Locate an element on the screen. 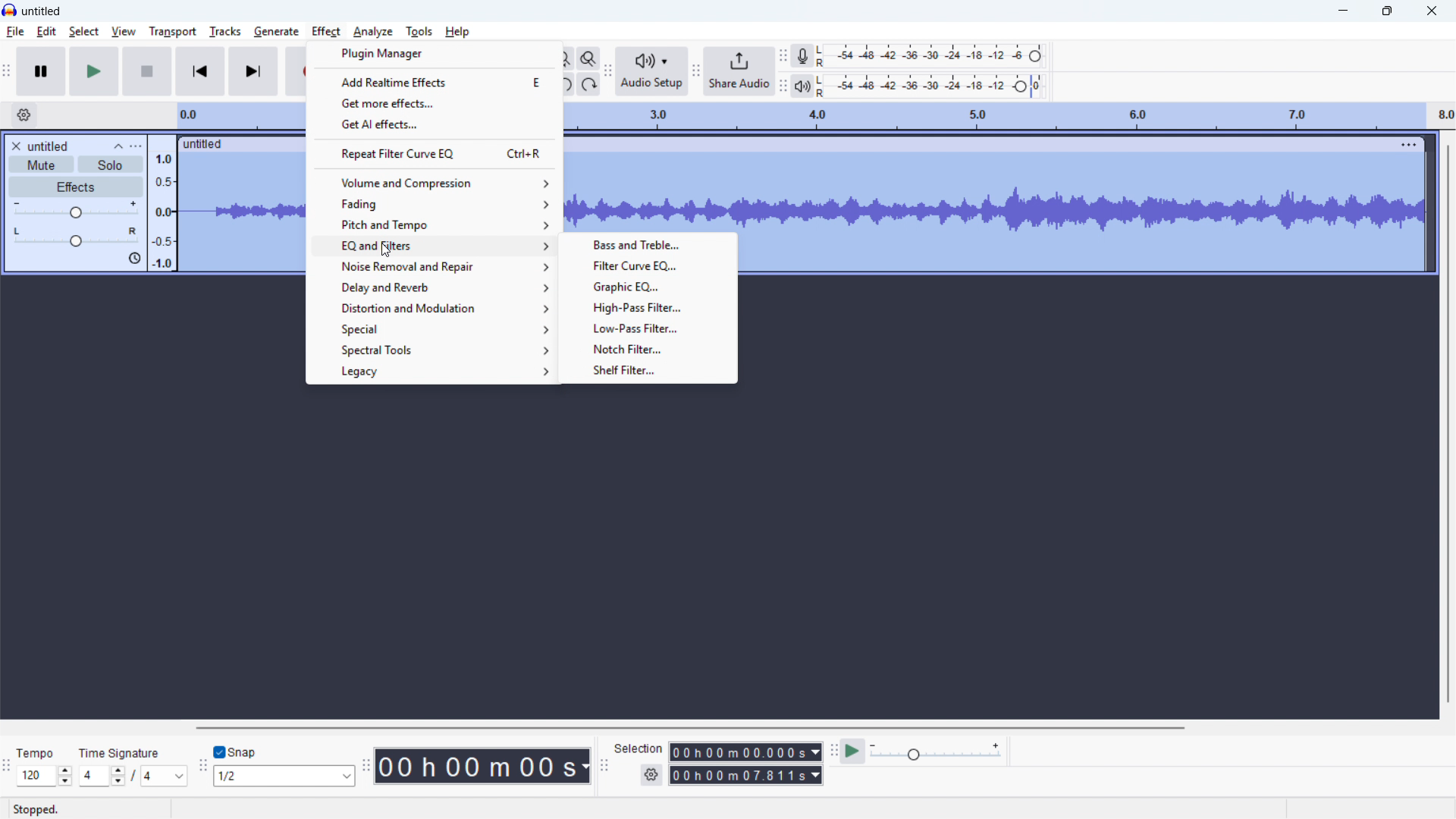  Selection settings  is located at coordinates (651, 776).